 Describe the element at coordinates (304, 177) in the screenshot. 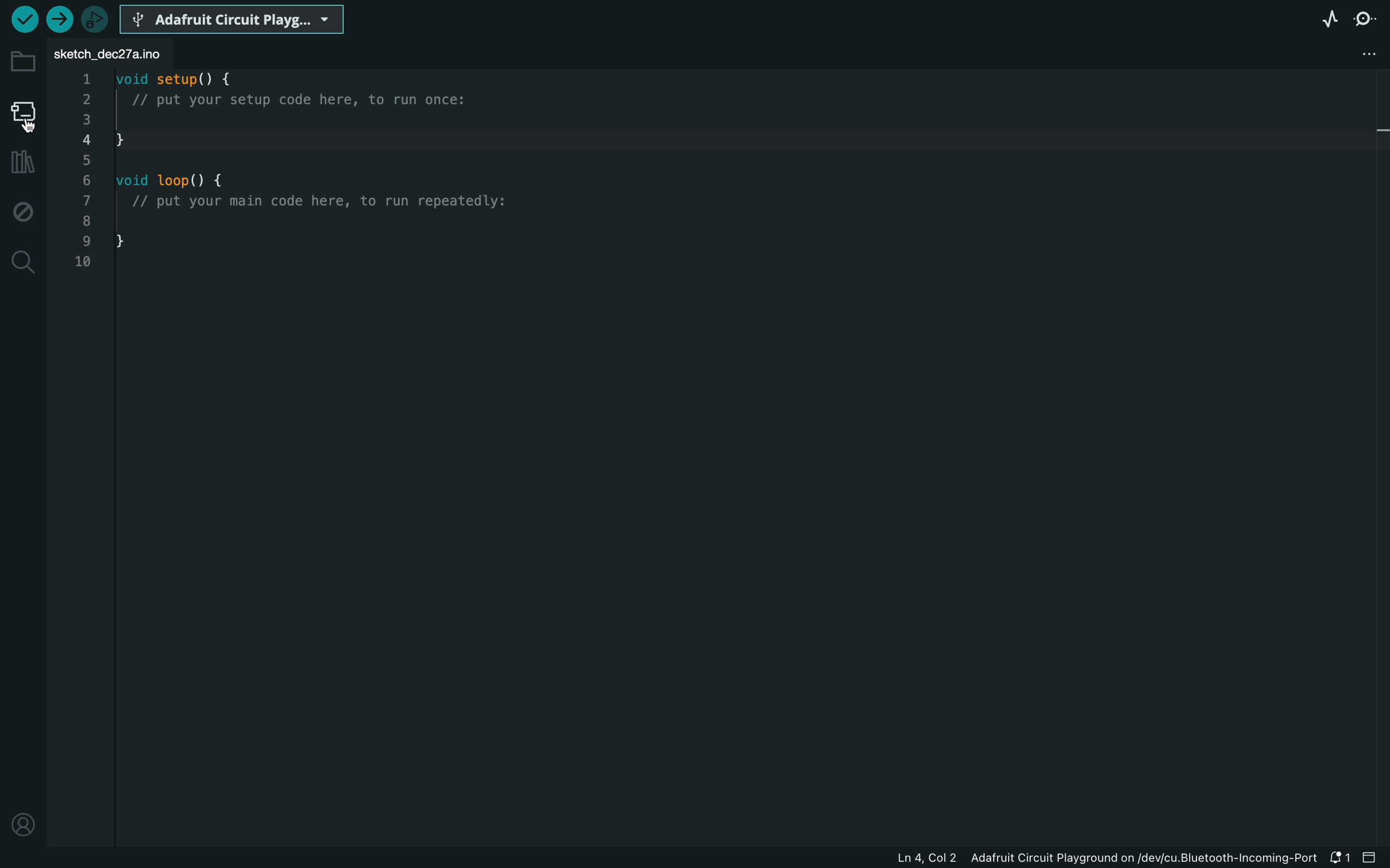

I see `code` at that location.